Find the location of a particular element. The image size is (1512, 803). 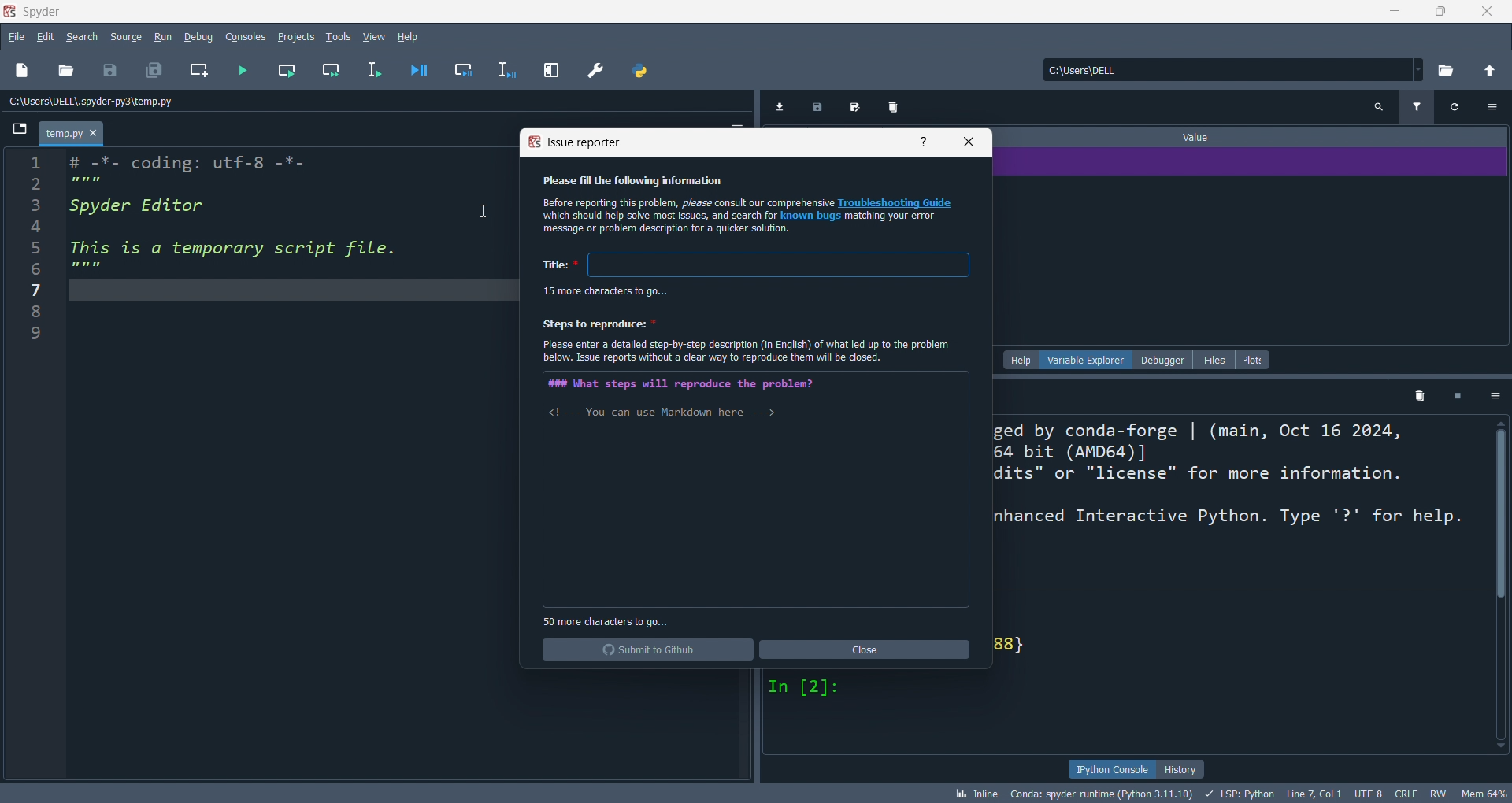

Edit Export is located at coordinates (855, 108).